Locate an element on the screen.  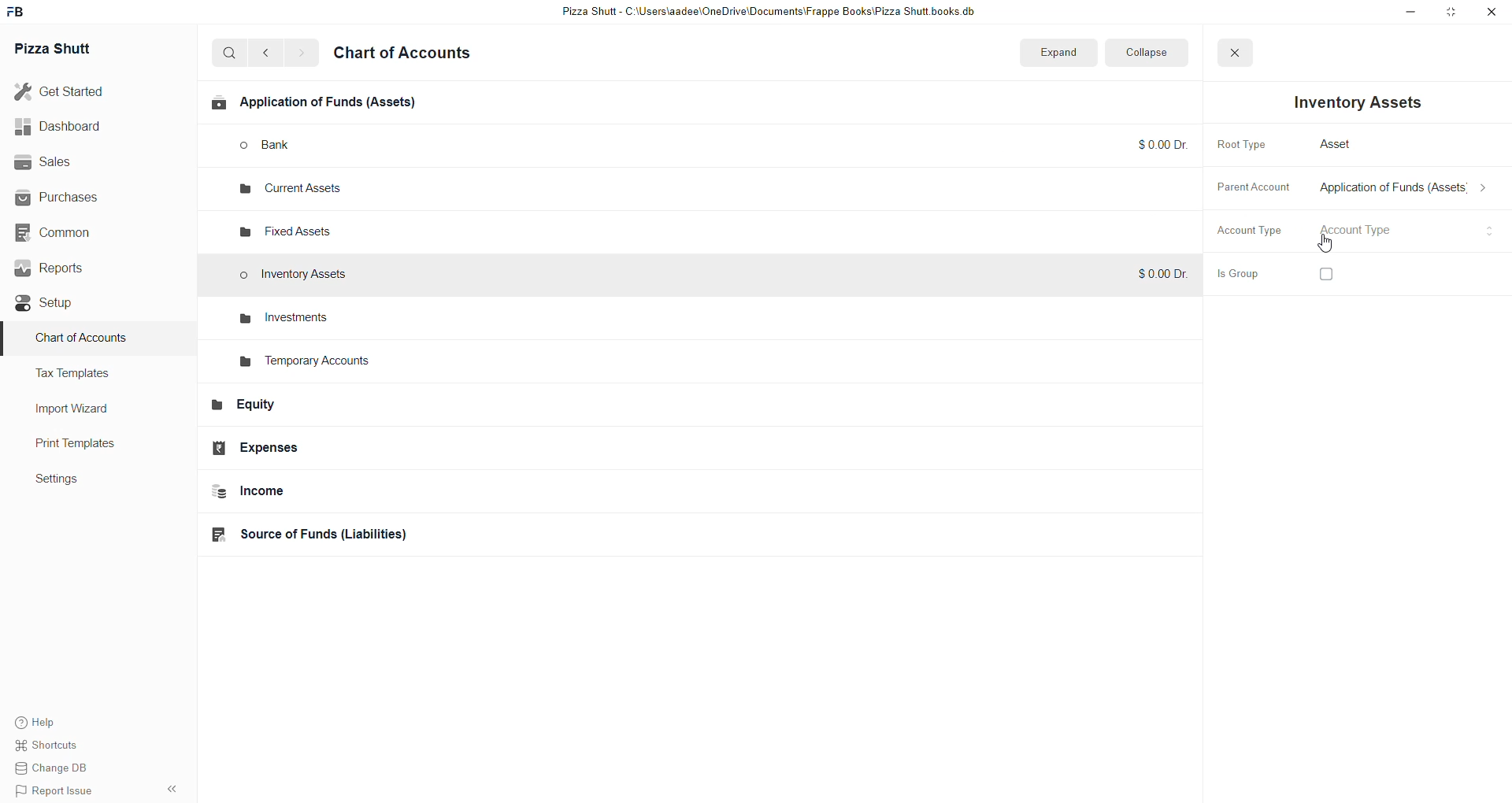
Account Type is located at coordinates (1240, 231).